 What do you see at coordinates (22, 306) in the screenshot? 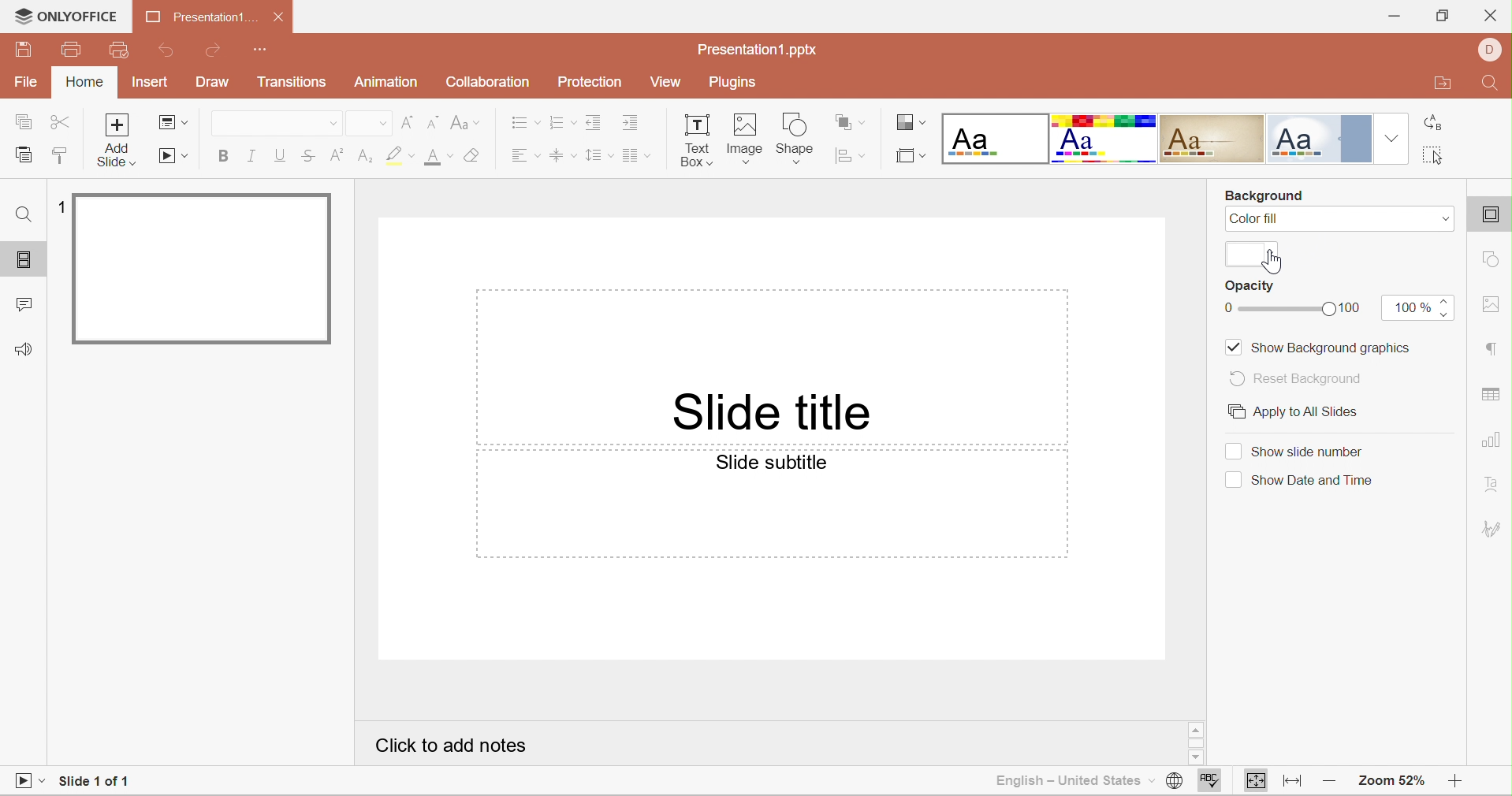
I see `Comments` at bounding box center [22, 306].